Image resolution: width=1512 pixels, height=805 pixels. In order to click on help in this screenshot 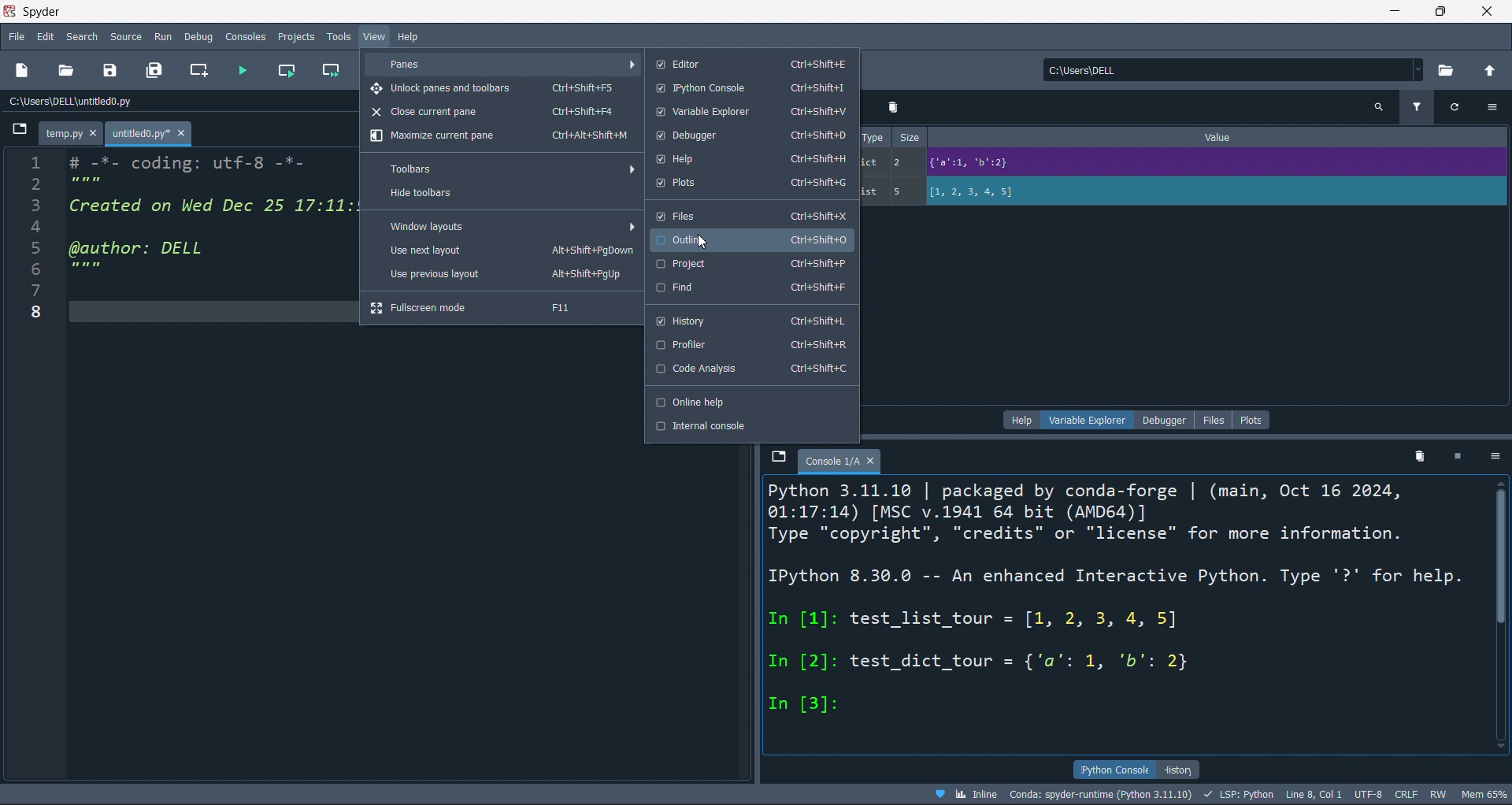, I will do `click(1018, 420)`.